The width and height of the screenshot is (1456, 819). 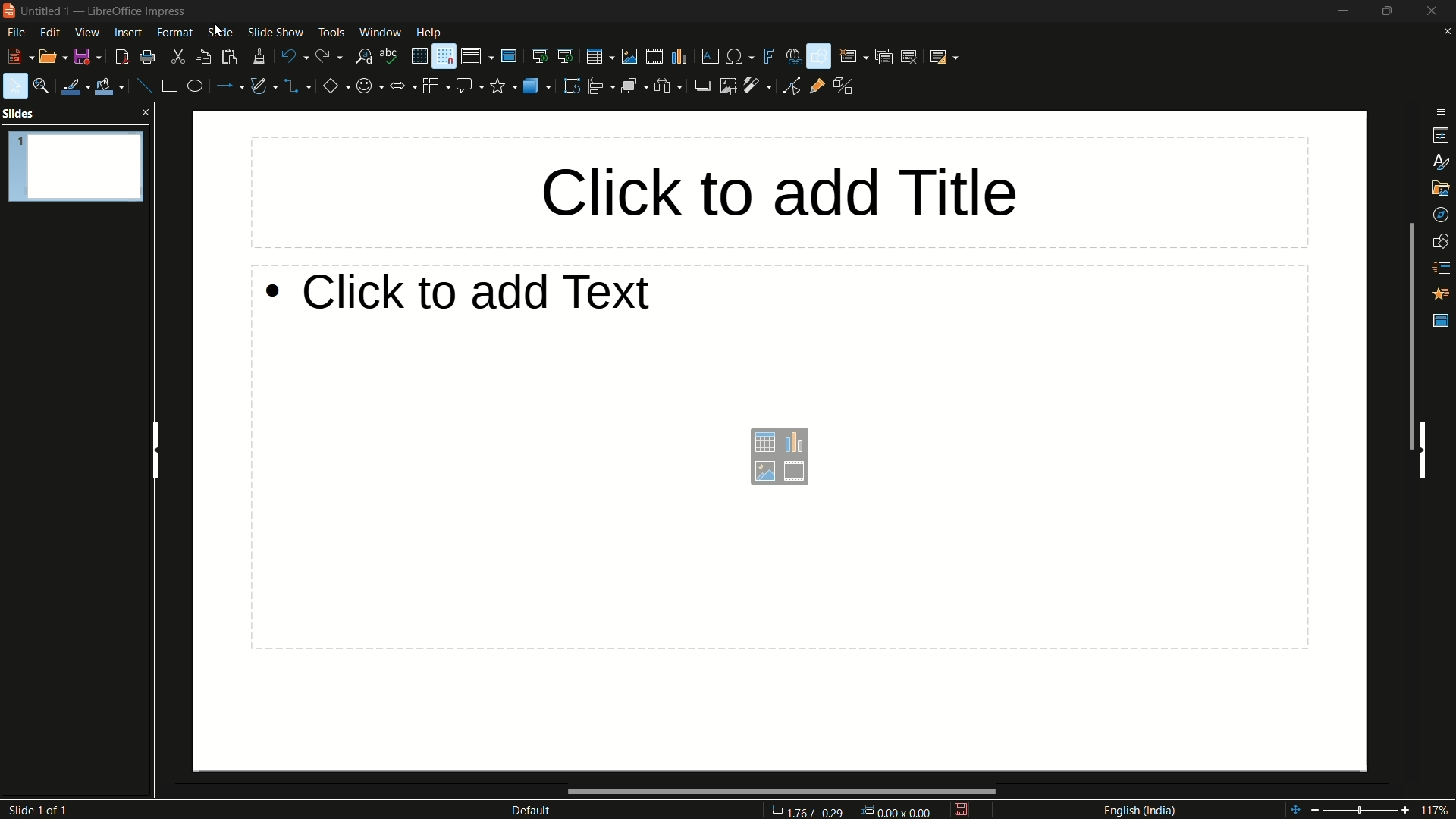 What do you see at coordinates (816, 87) in the screenshot?
I see `show gluepoint functions` at bounding box center [816, 87].